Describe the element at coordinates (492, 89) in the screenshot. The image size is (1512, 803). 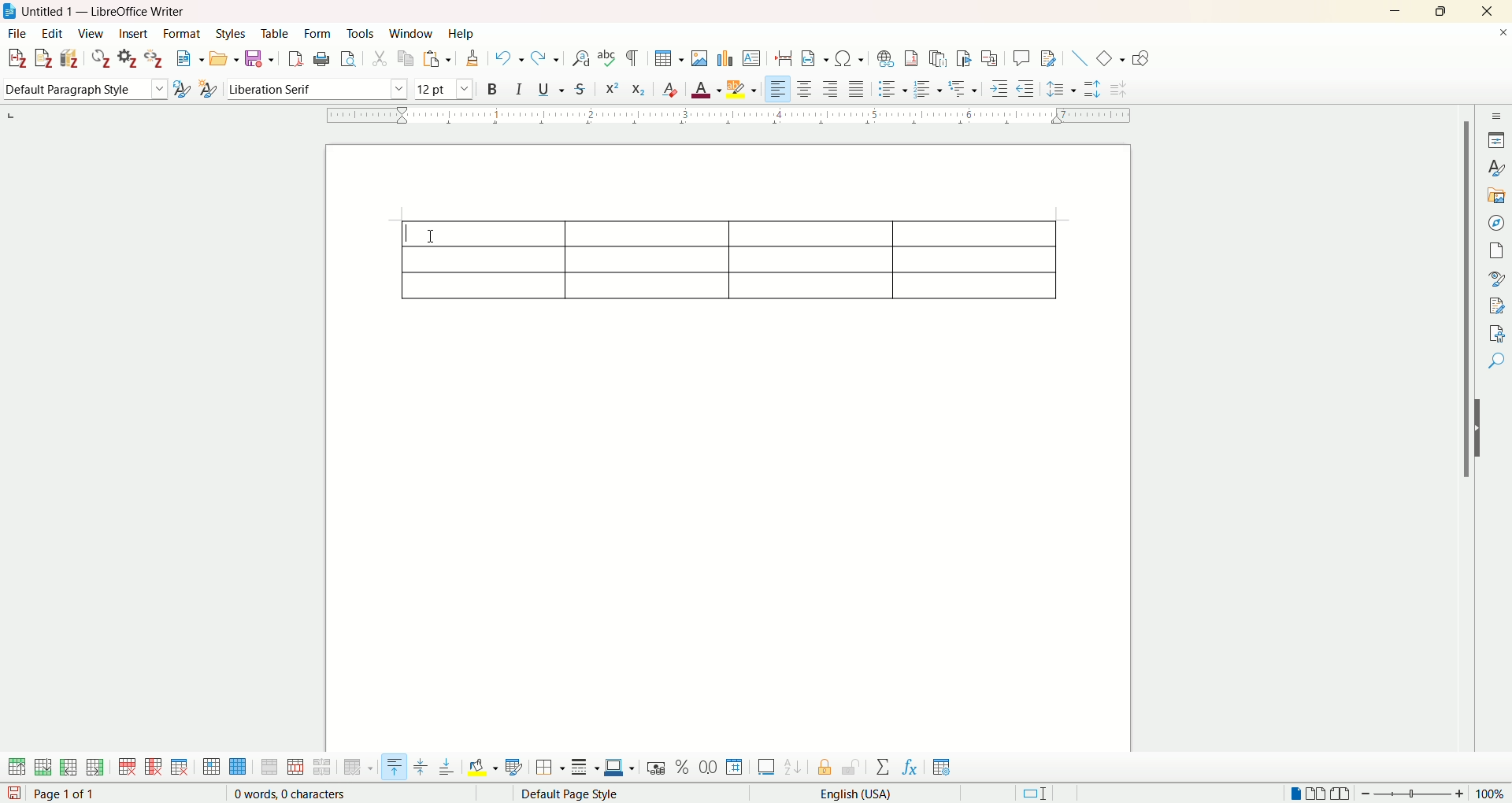
I see `bold` at that location.